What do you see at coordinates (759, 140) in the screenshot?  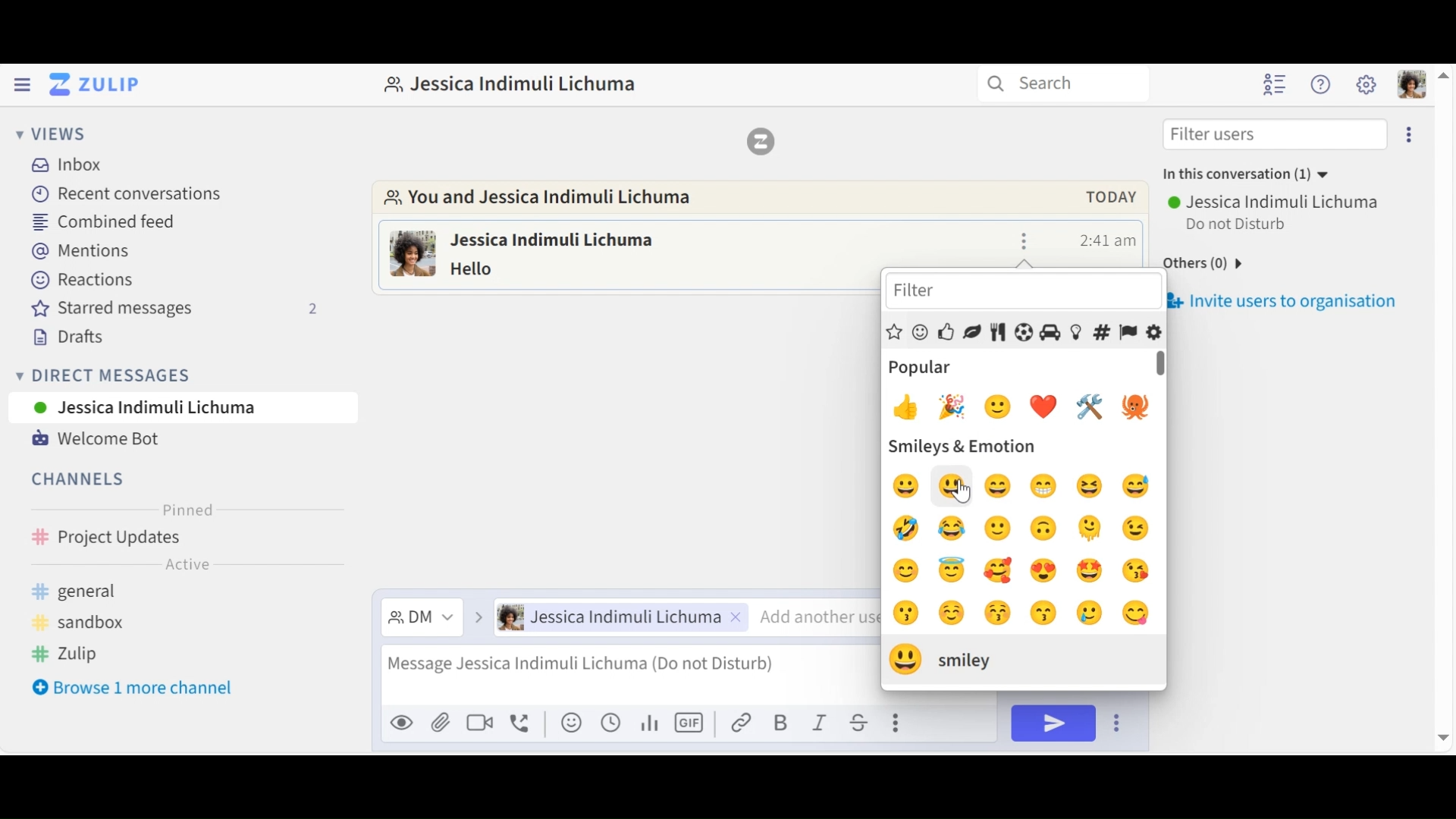 I see `Zulip` at bounding box center [759, 140].